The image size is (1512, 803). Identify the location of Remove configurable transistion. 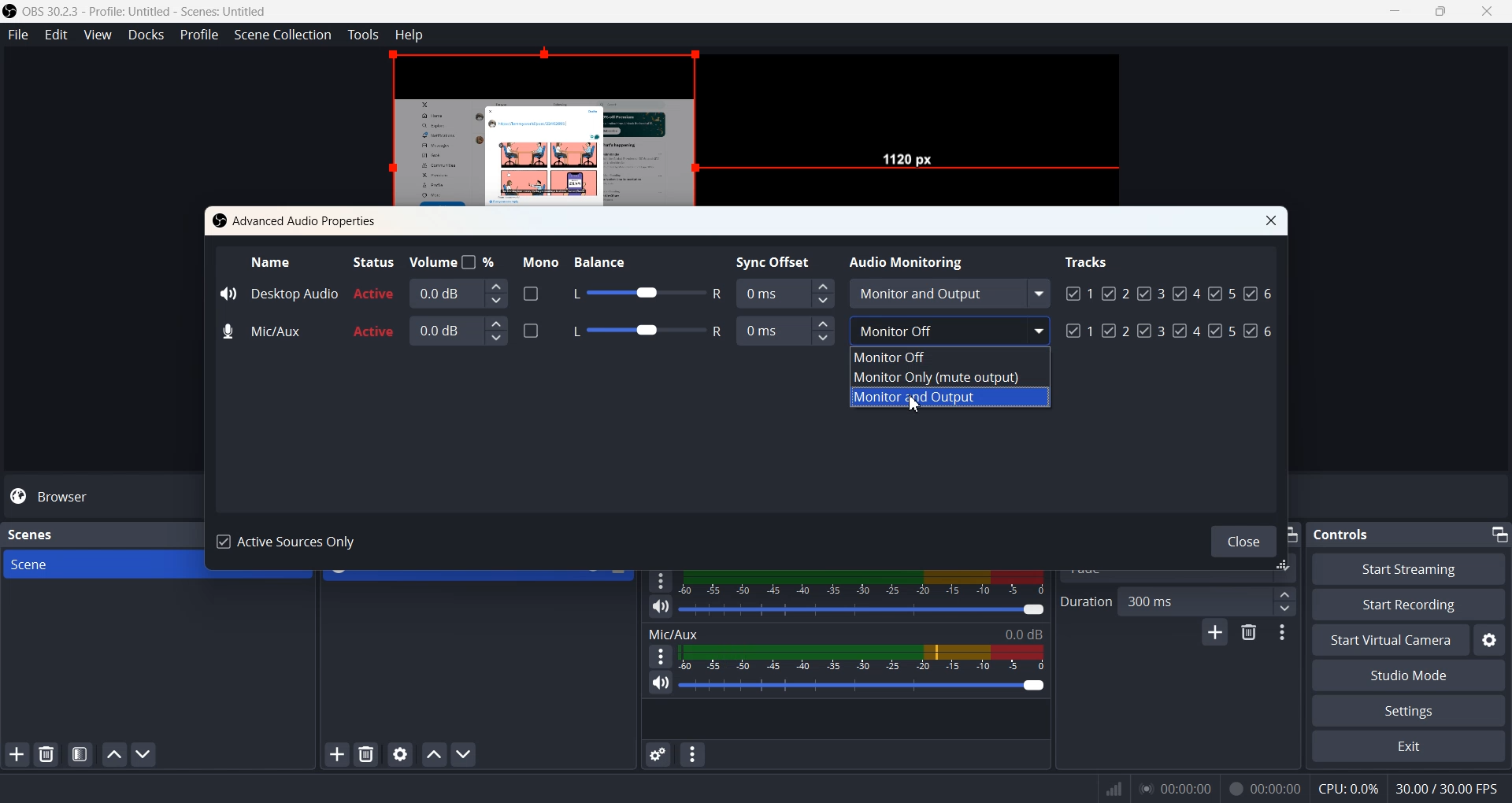
(1251, 634).